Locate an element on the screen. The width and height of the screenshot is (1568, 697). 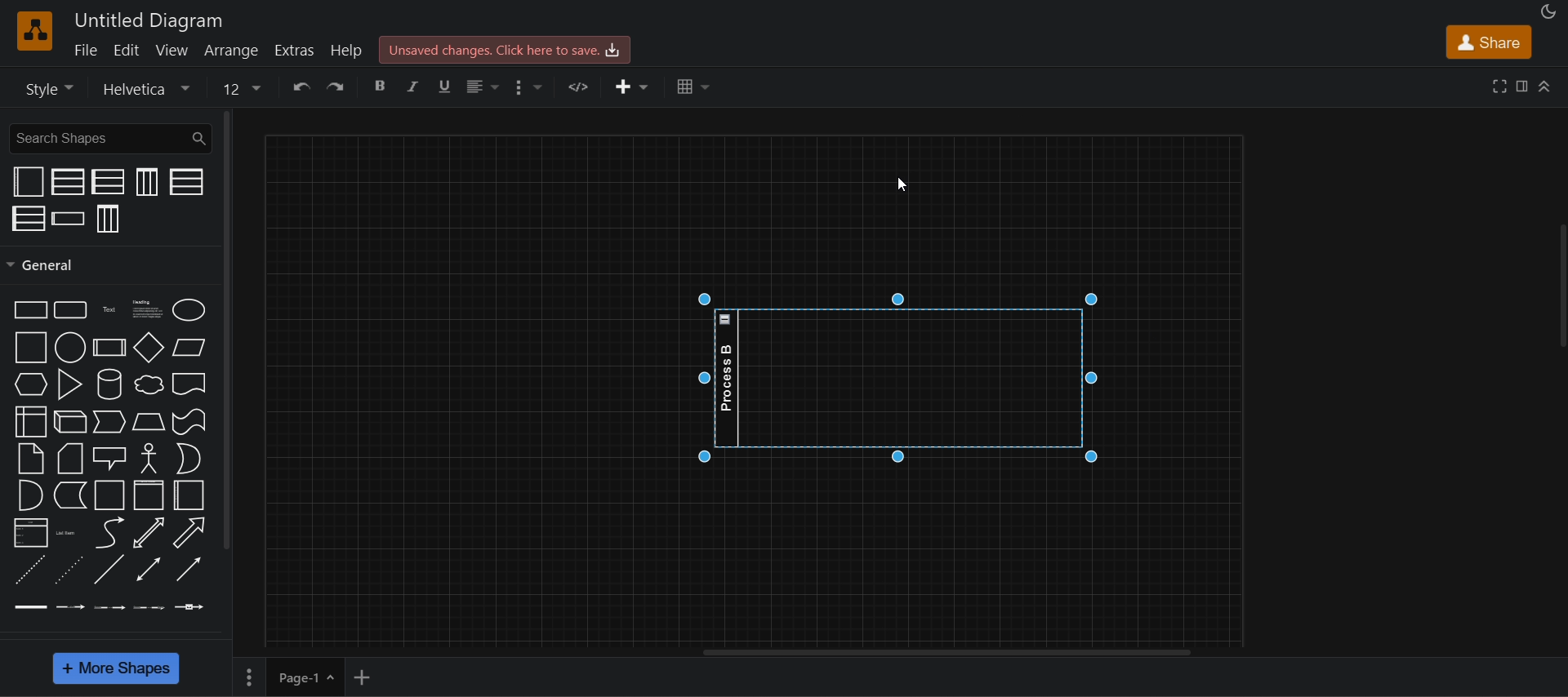
tape is located at coordinates (188, 422).